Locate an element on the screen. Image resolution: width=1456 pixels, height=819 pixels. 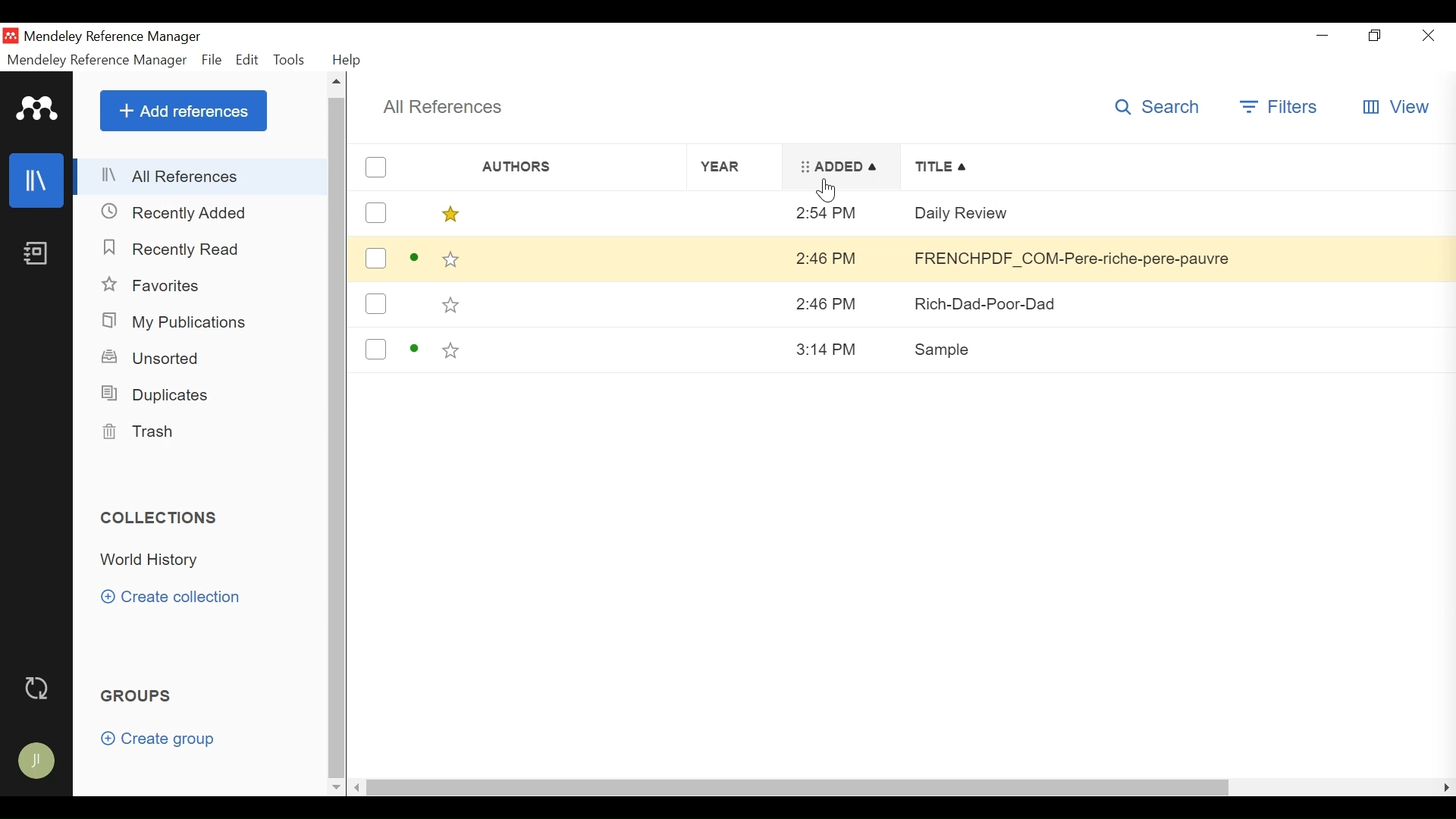
Toggle Favorites is located at coordinates (450, 350).